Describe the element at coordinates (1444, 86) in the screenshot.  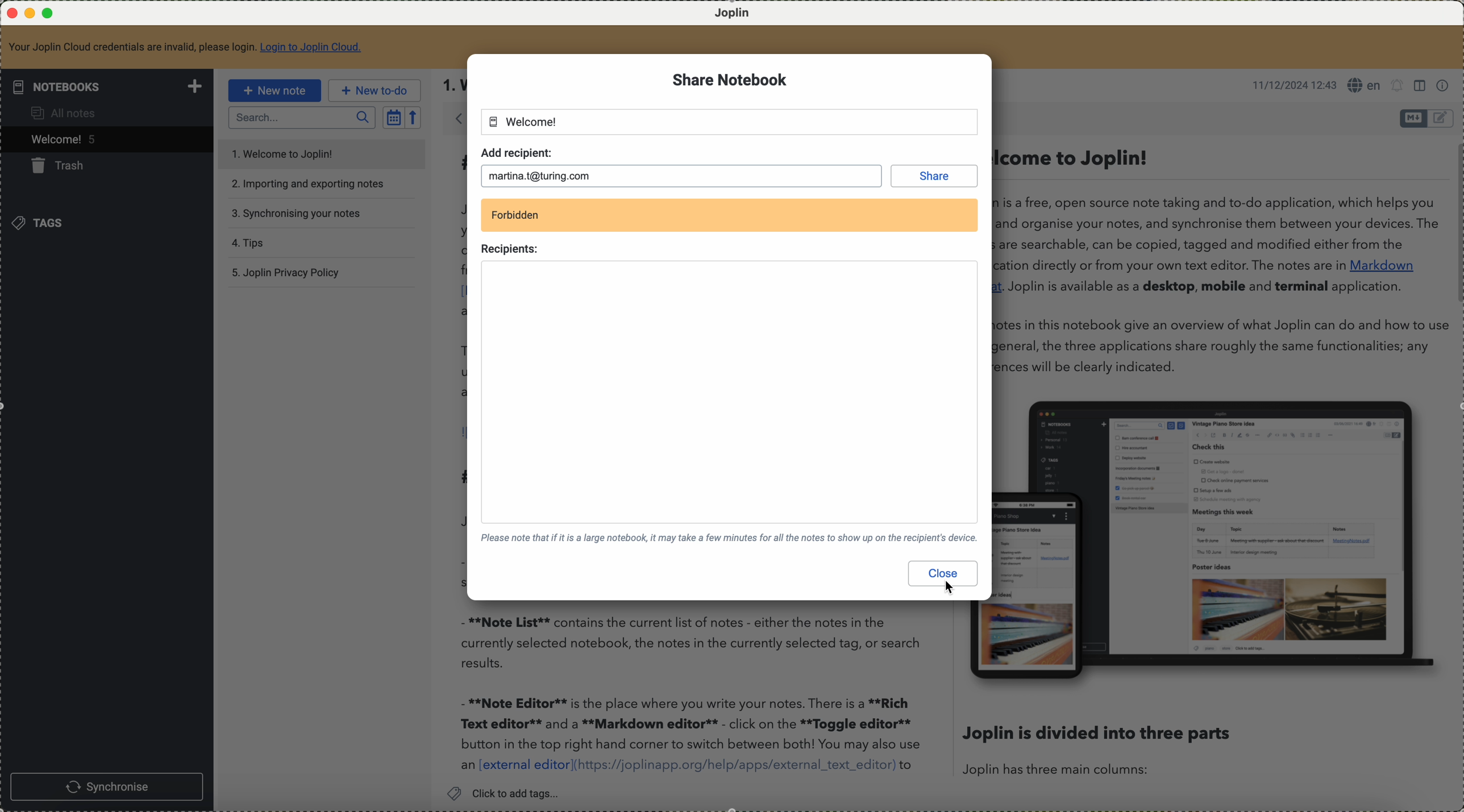
I see `note properties` at that location.